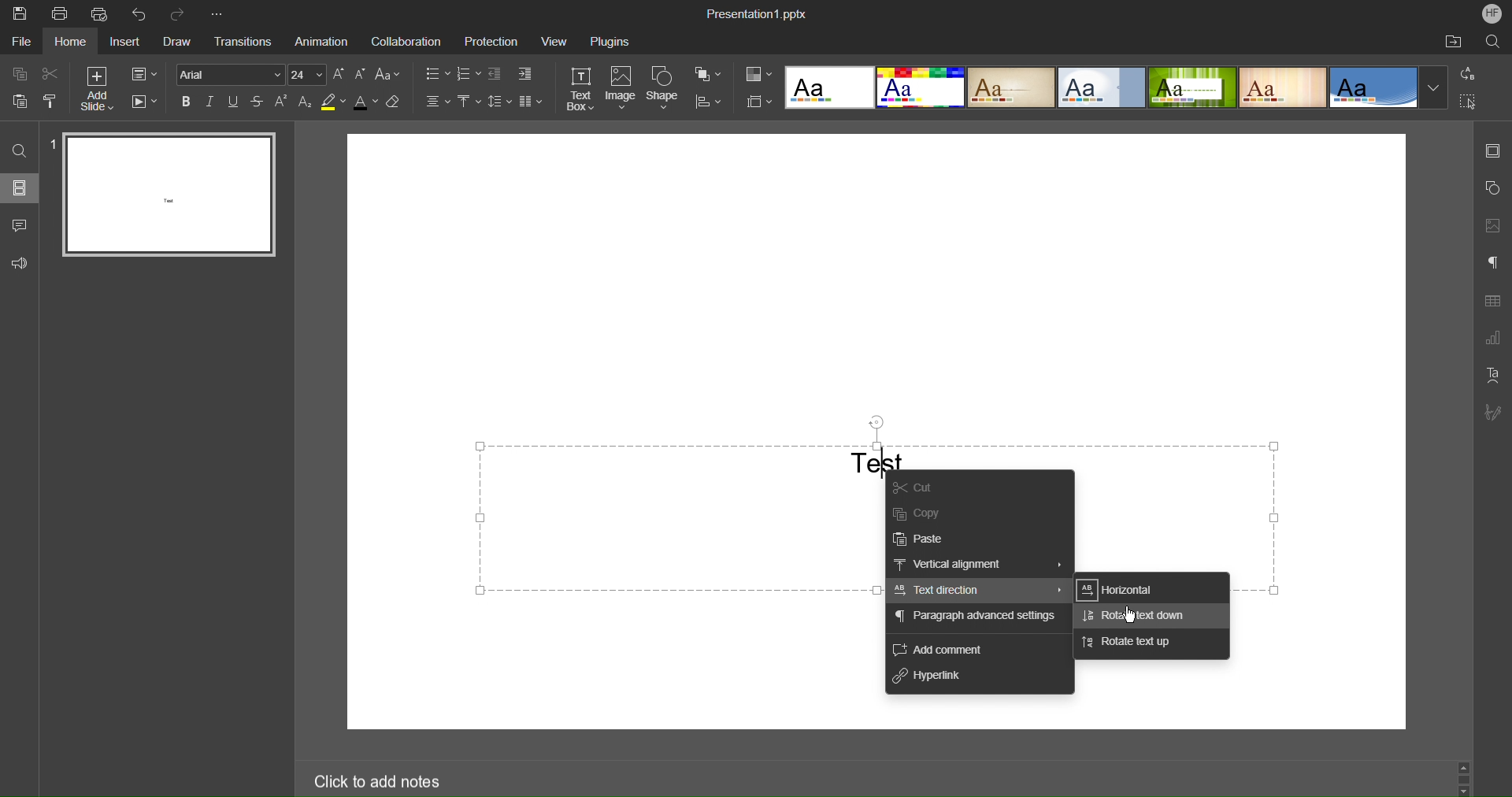 This screenshot has height=797, width=1512. Describe the element at coordinates (1469, 75) in the screenshot. I see `Replace` at that location.